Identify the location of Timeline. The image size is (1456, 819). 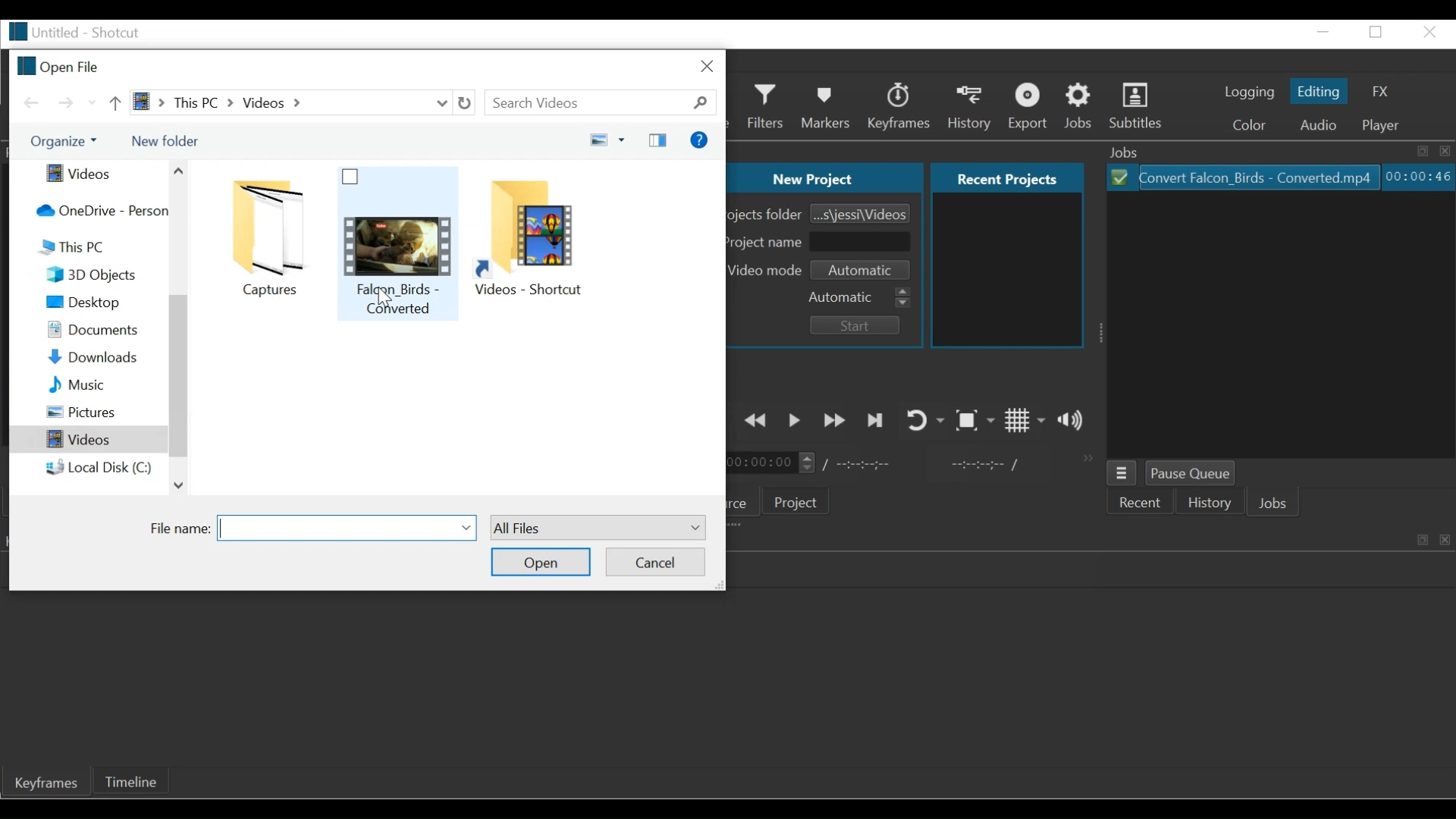
(131, 781).